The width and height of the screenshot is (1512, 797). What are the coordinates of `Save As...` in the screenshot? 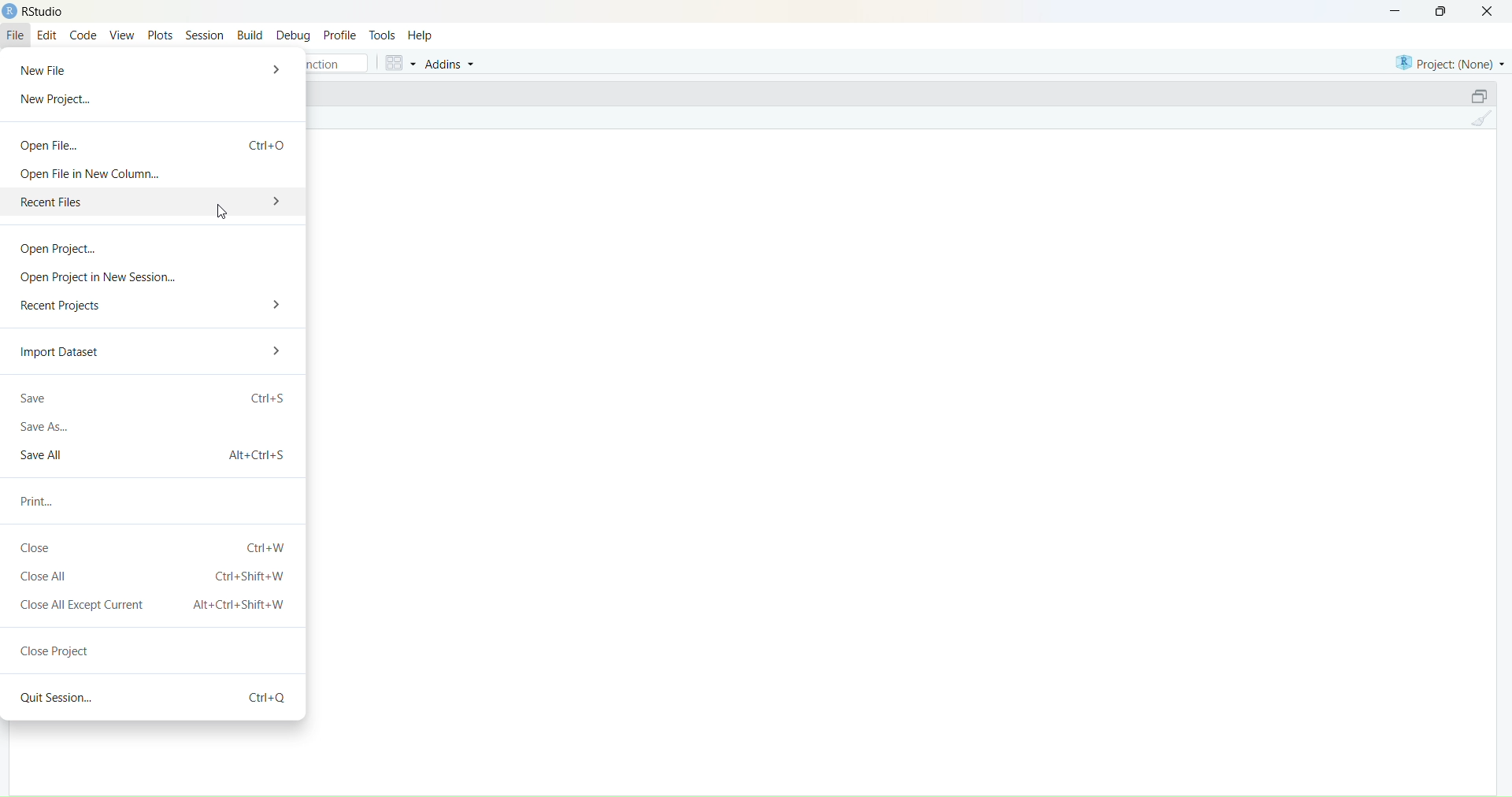 It's located at (43, 428).